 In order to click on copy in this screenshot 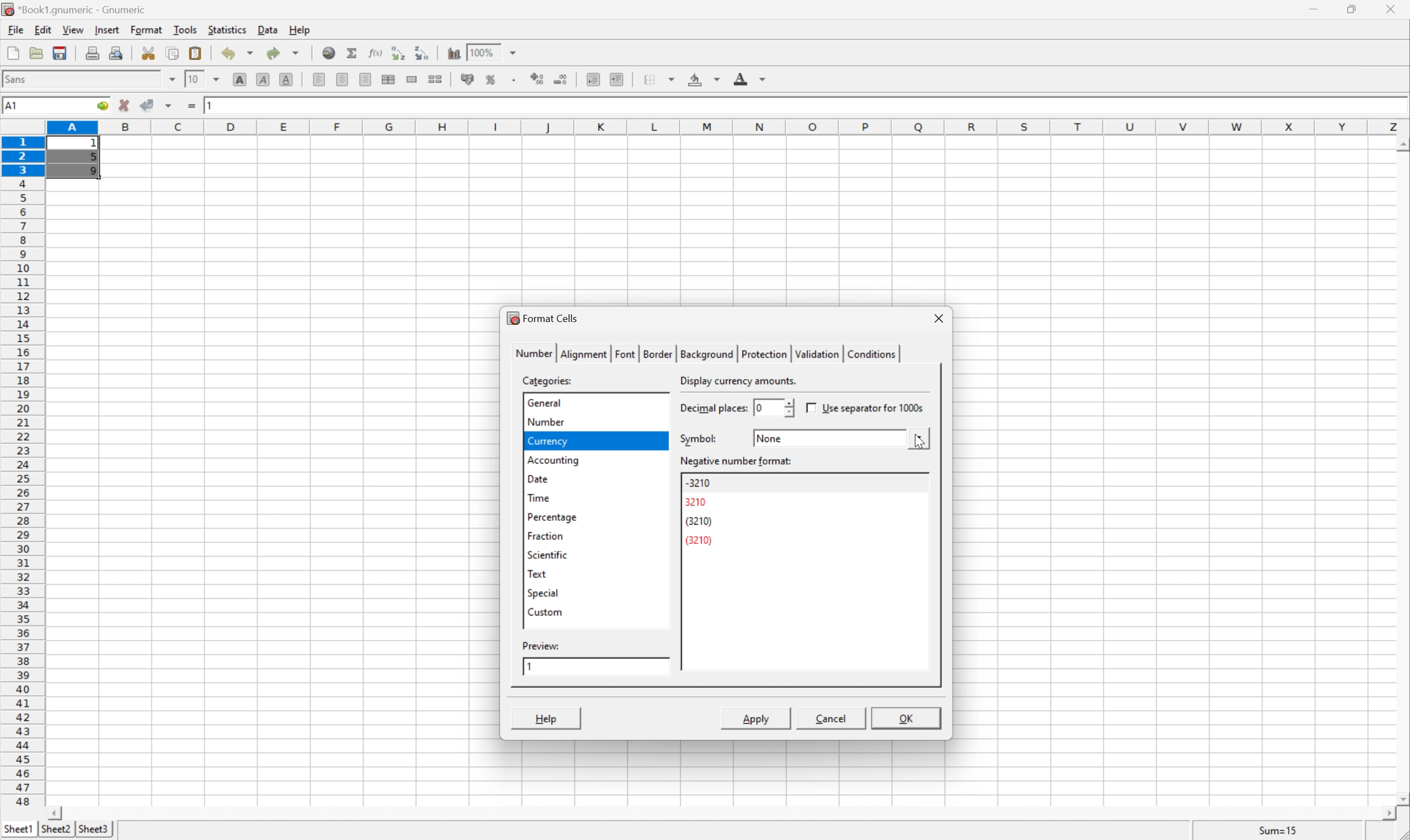, I will do `click(172, 53)`.